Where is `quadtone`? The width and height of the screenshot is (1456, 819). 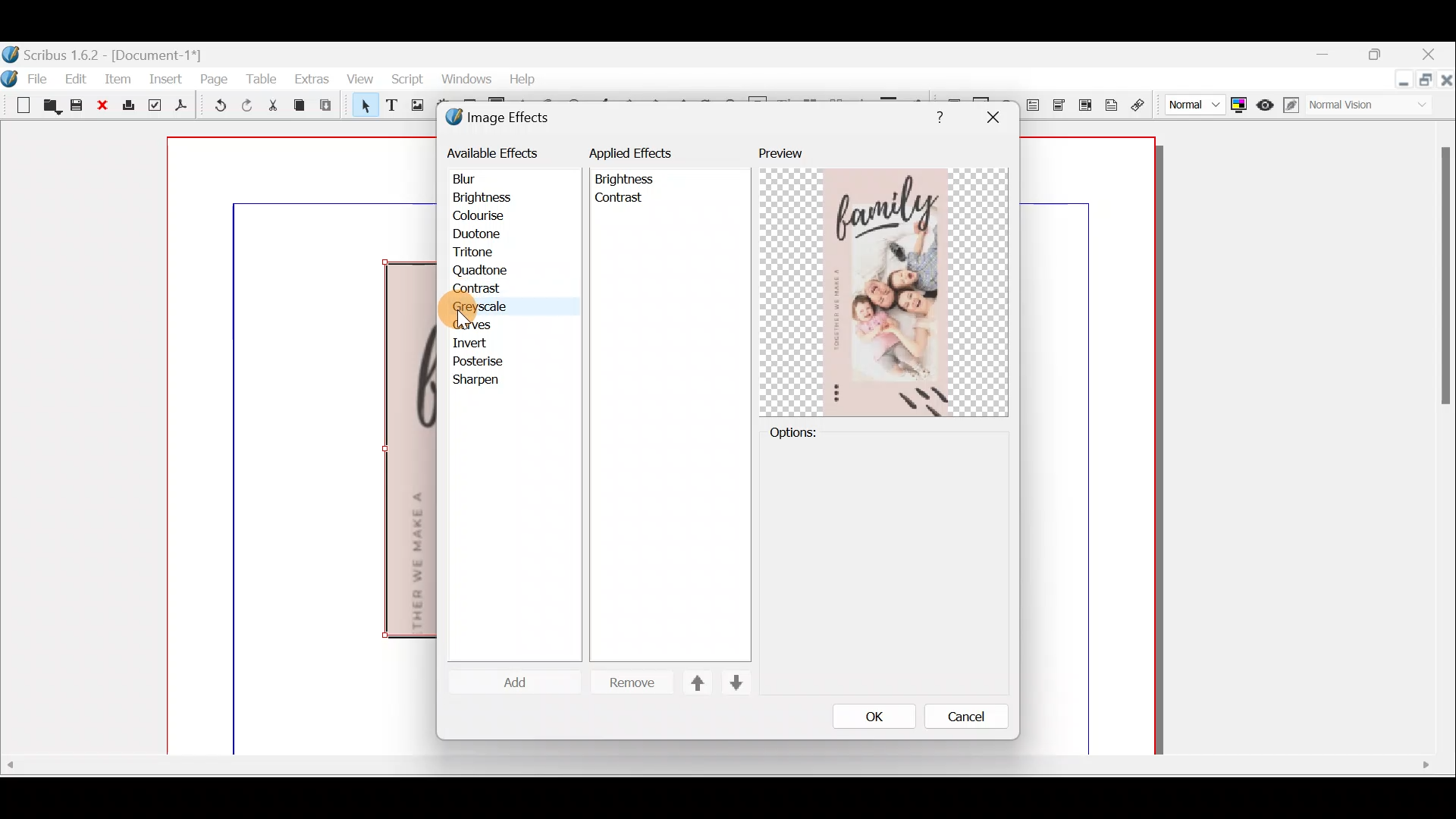 quadtone is located at coordinates (485, 271).